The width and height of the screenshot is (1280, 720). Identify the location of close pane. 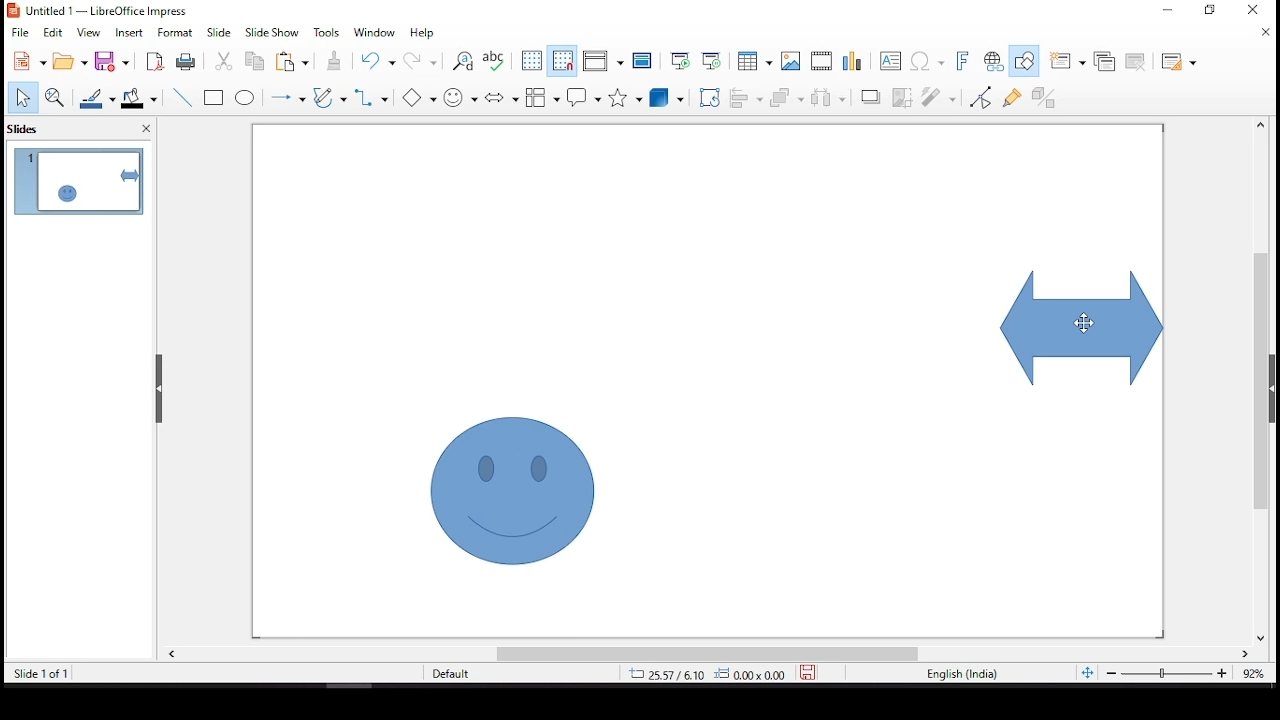
(143, 131).